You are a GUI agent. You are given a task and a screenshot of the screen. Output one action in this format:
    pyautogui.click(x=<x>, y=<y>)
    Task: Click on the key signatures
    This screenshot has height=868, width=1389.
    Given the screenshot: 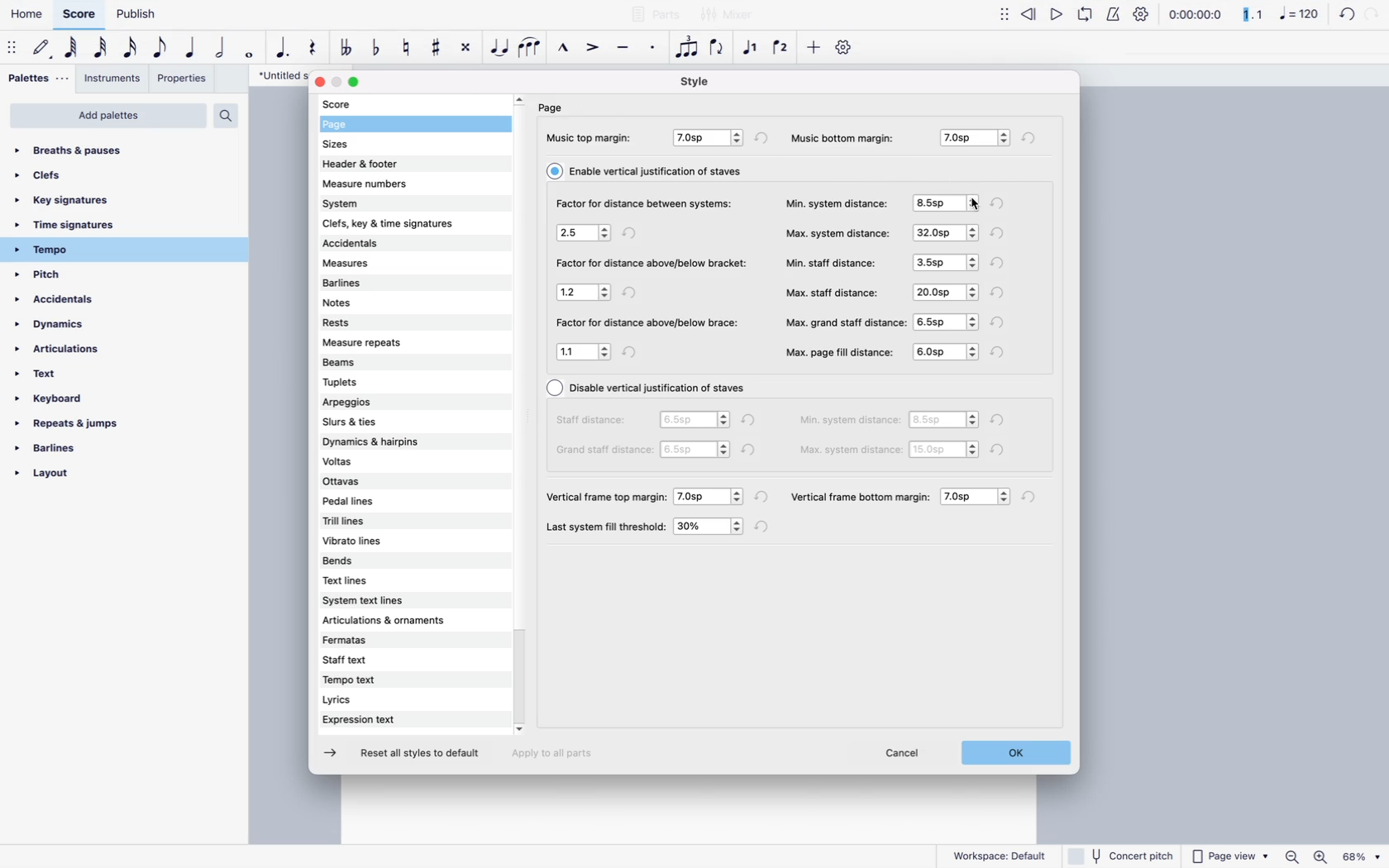 What is the action you would take?
    pyautogui.click(x=77, y=200)
    